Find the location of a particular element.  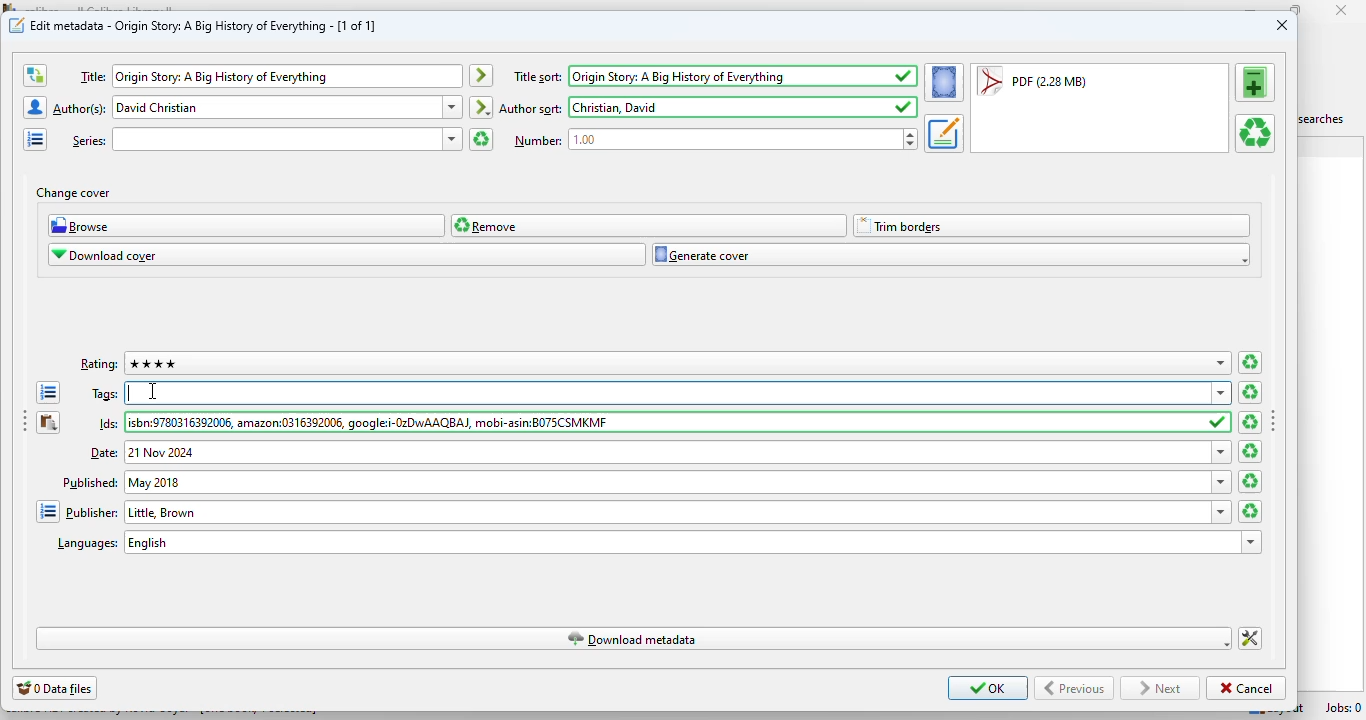

dropdown is located at coordinates (1222, 393).